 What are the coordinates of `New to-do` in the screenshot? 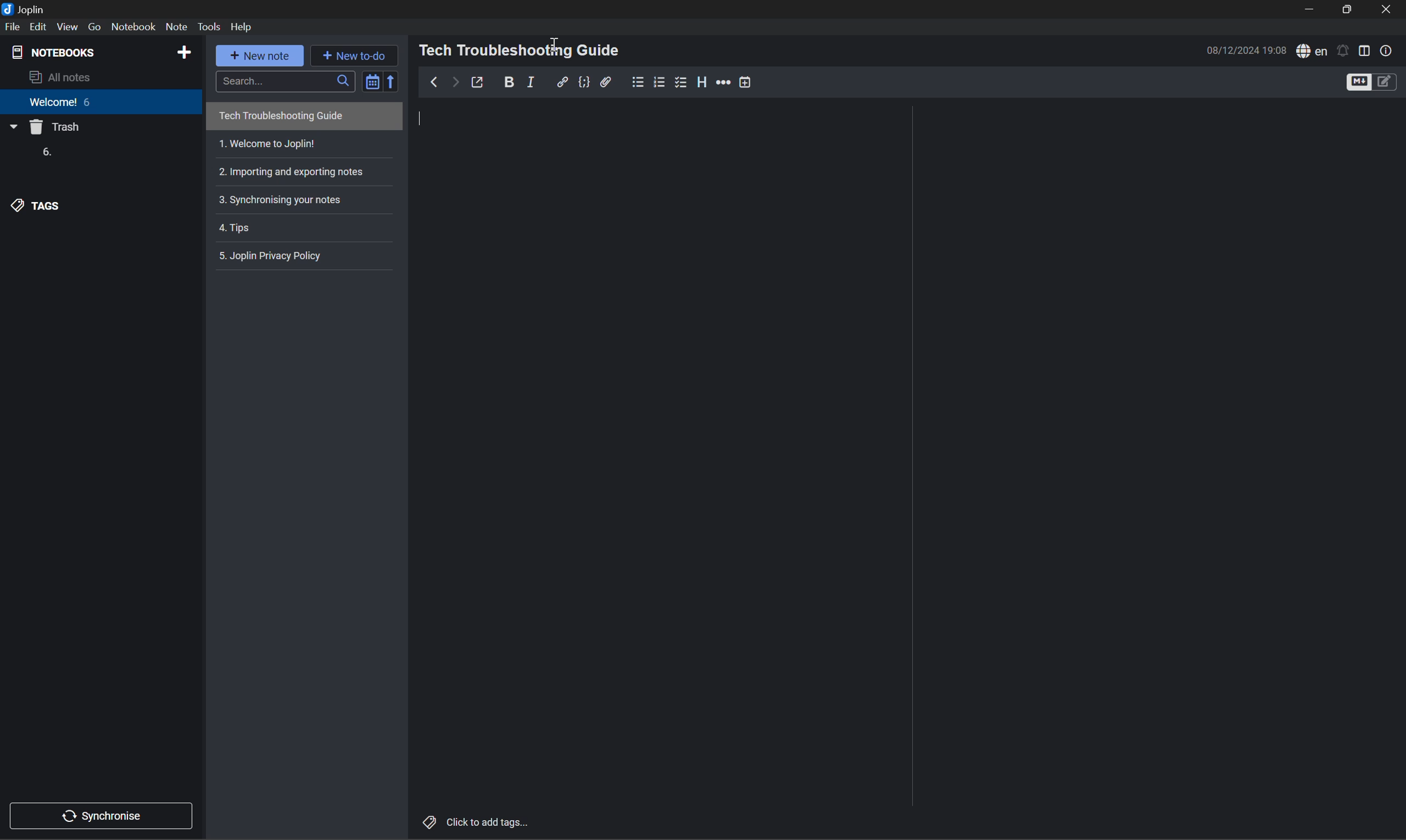 It's located at (360, 55).